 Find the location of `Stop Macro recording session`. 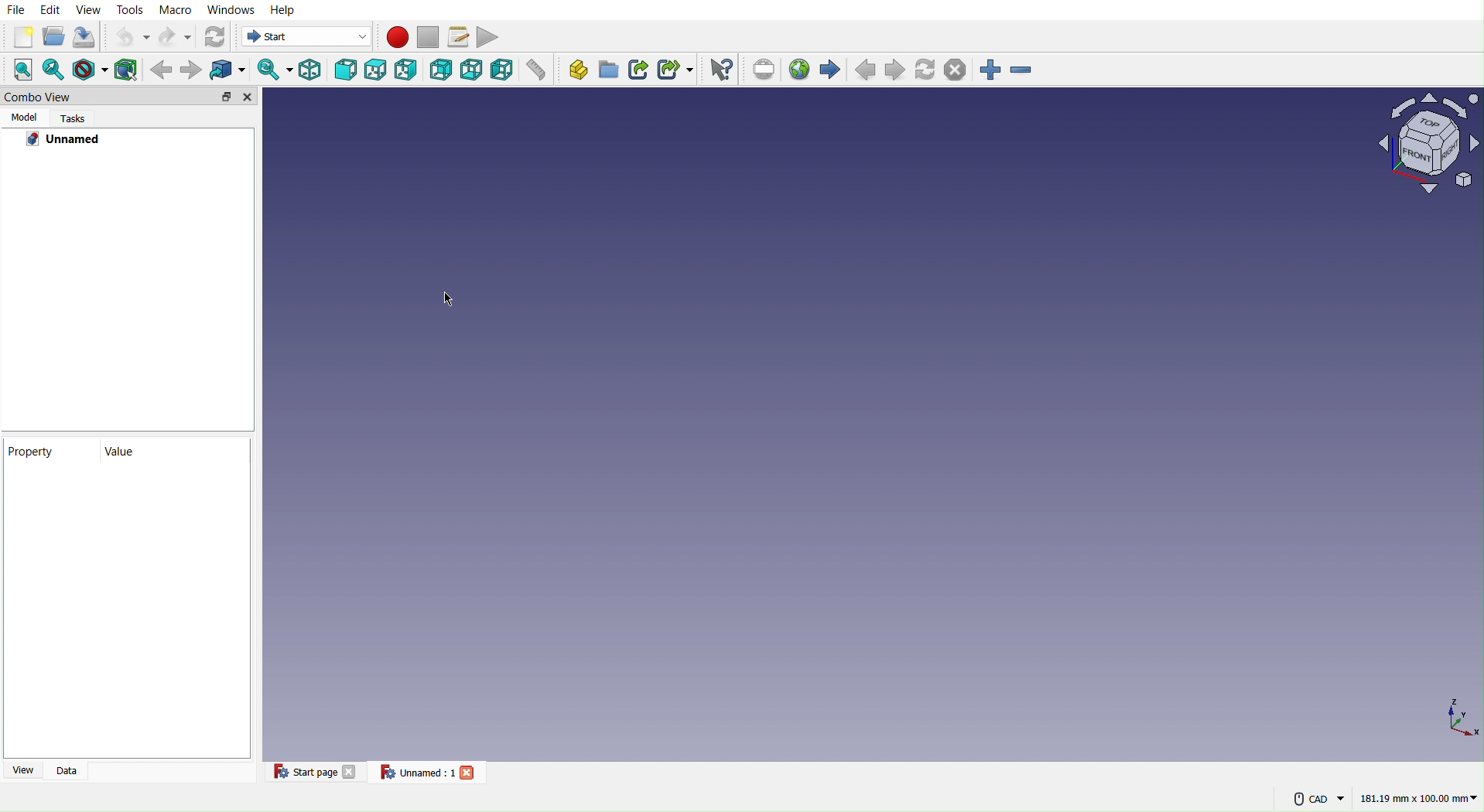

Stop Macro recording session is located at coordinates (427, 36).